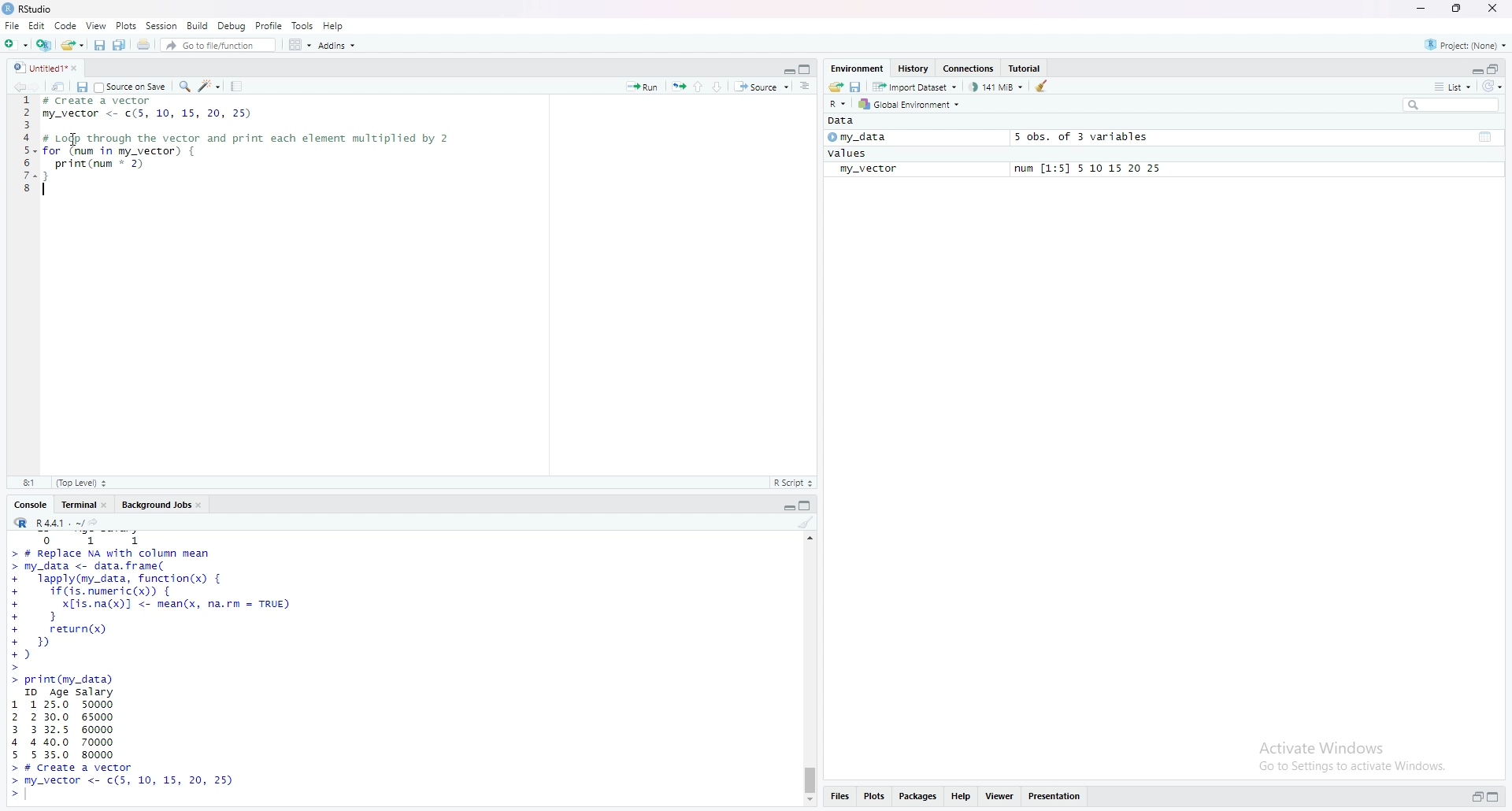  What do you see at coordinates (303, 24) in the screenshot?
I see `tools` at bounding box center [303, 24].